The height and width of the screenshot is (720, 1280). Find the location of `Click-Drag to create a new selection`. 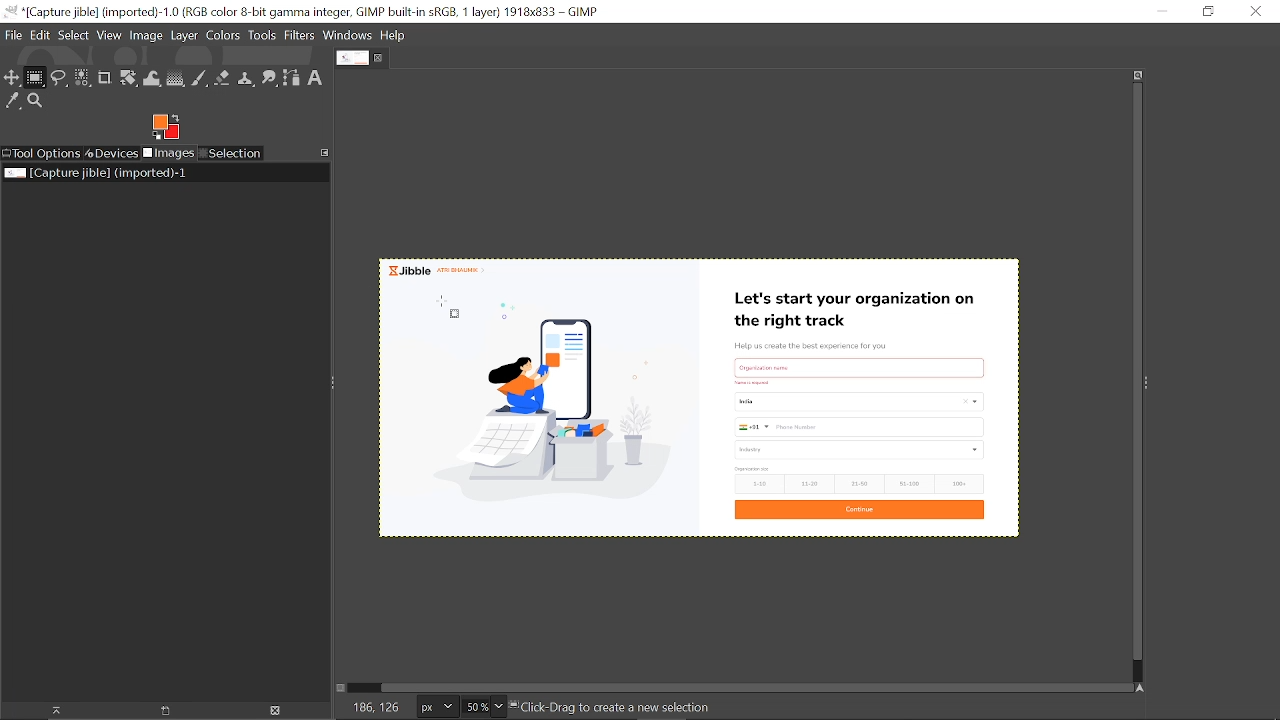

Click-Drag to create a new selection is located at coordinates (615, 709).